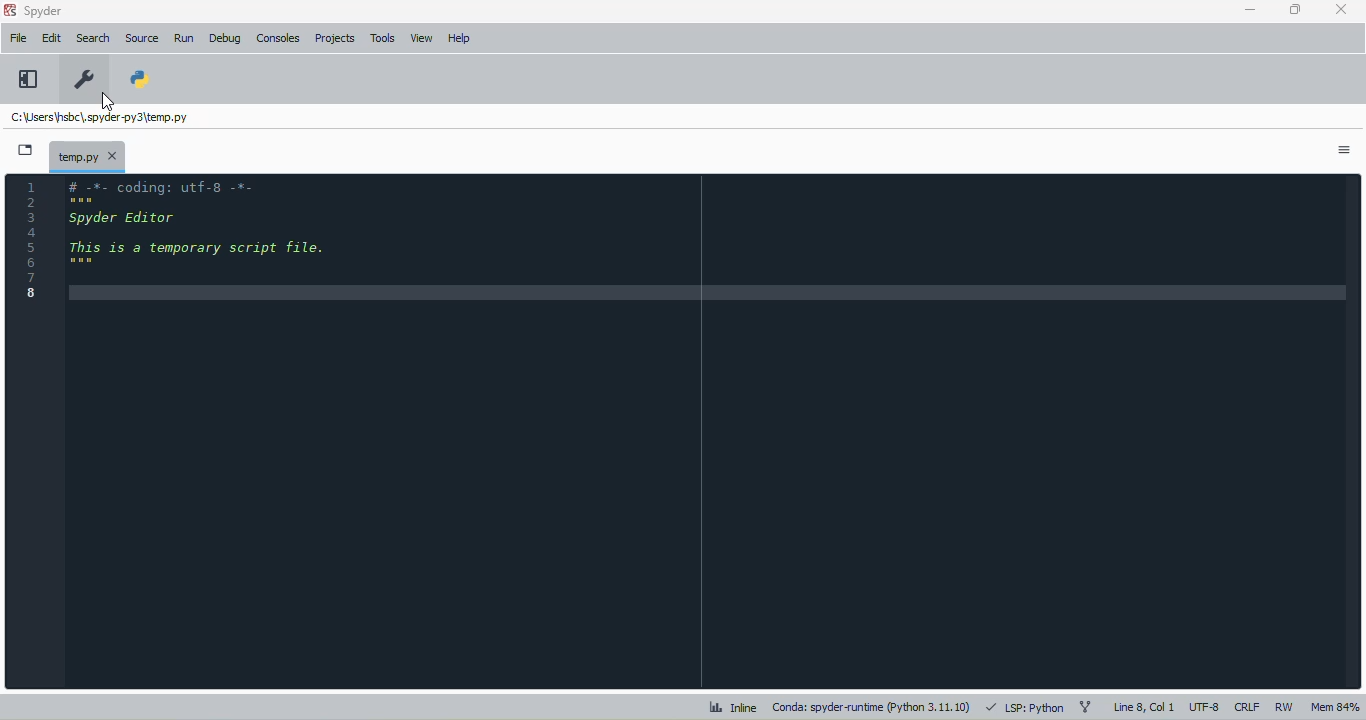  What do you see at coordinates (1251, 9) in the screenshot?
I see `minimize` at bounding box center [1251, 9].